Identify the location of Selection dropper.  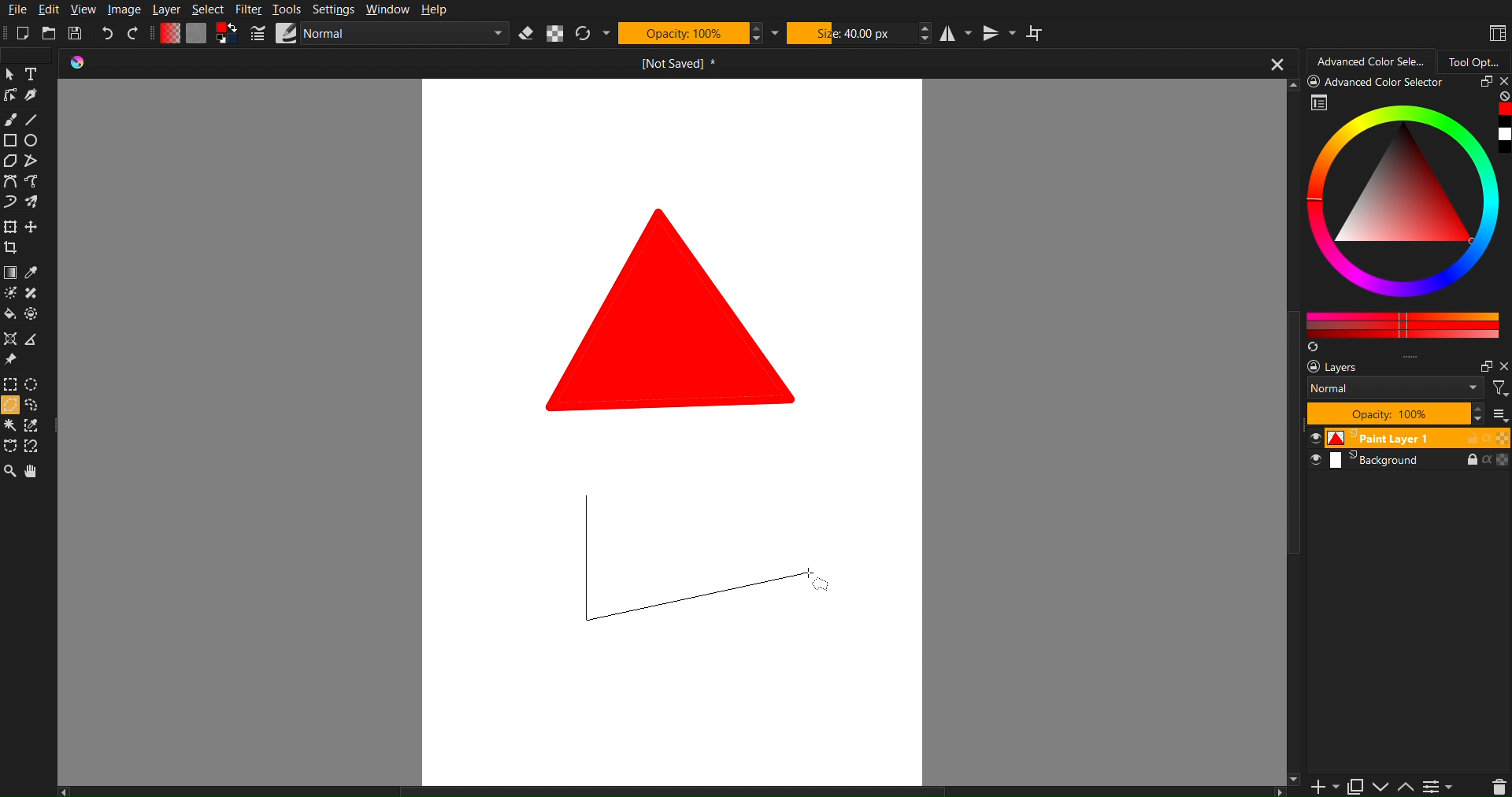
(32, 426).